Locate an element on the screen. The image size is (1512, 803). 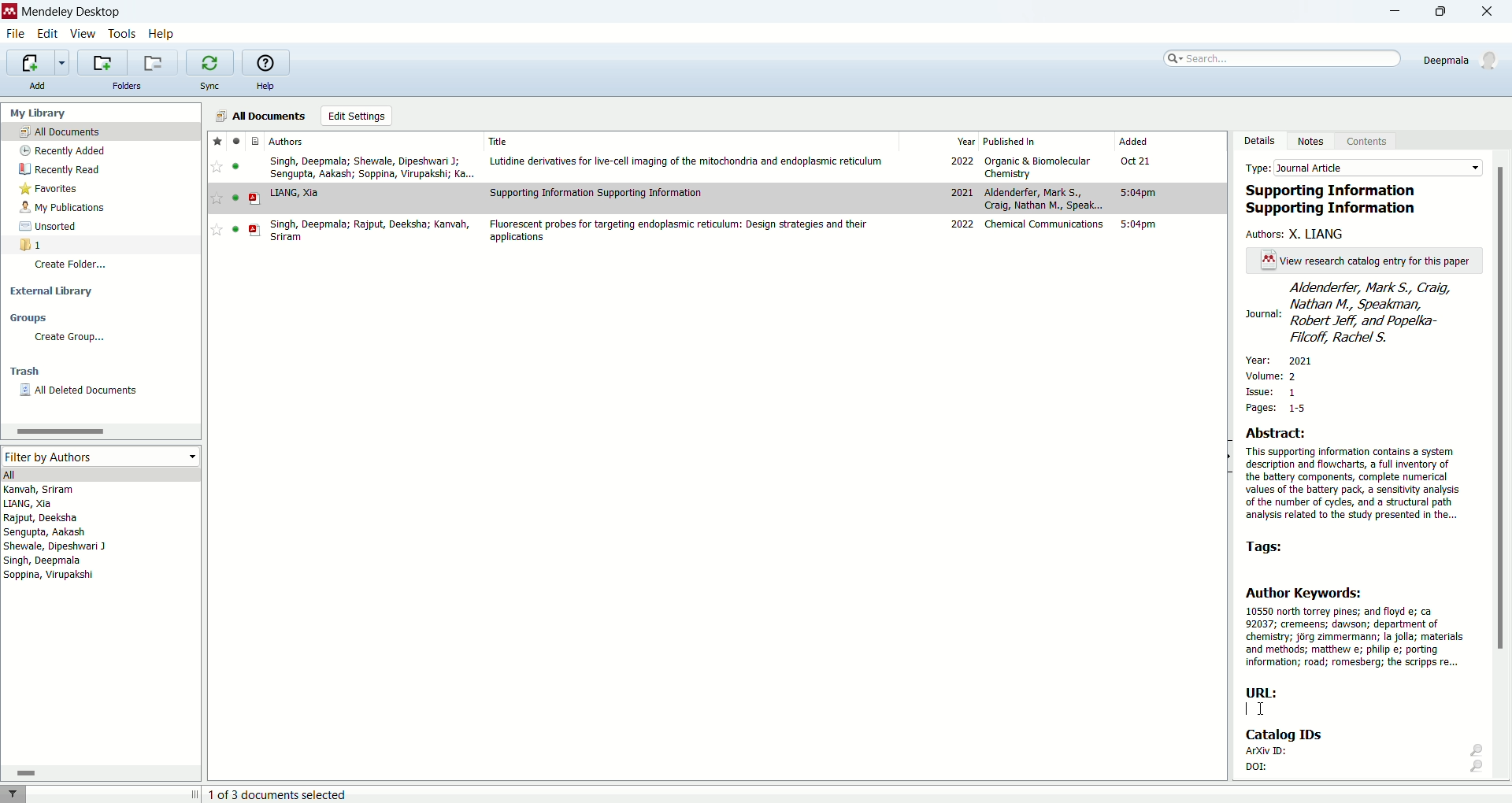
2022 is located at coordinates (961, 160).